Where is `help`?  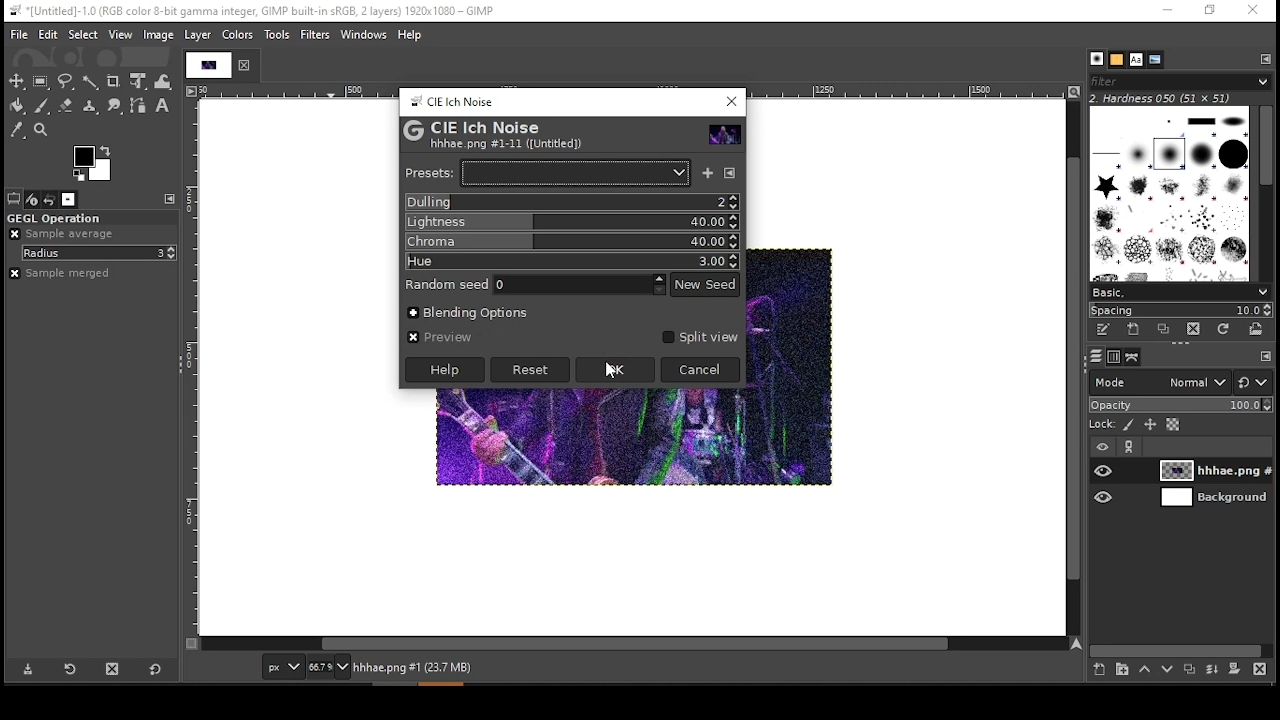
help is located at coordinates (444, 370).